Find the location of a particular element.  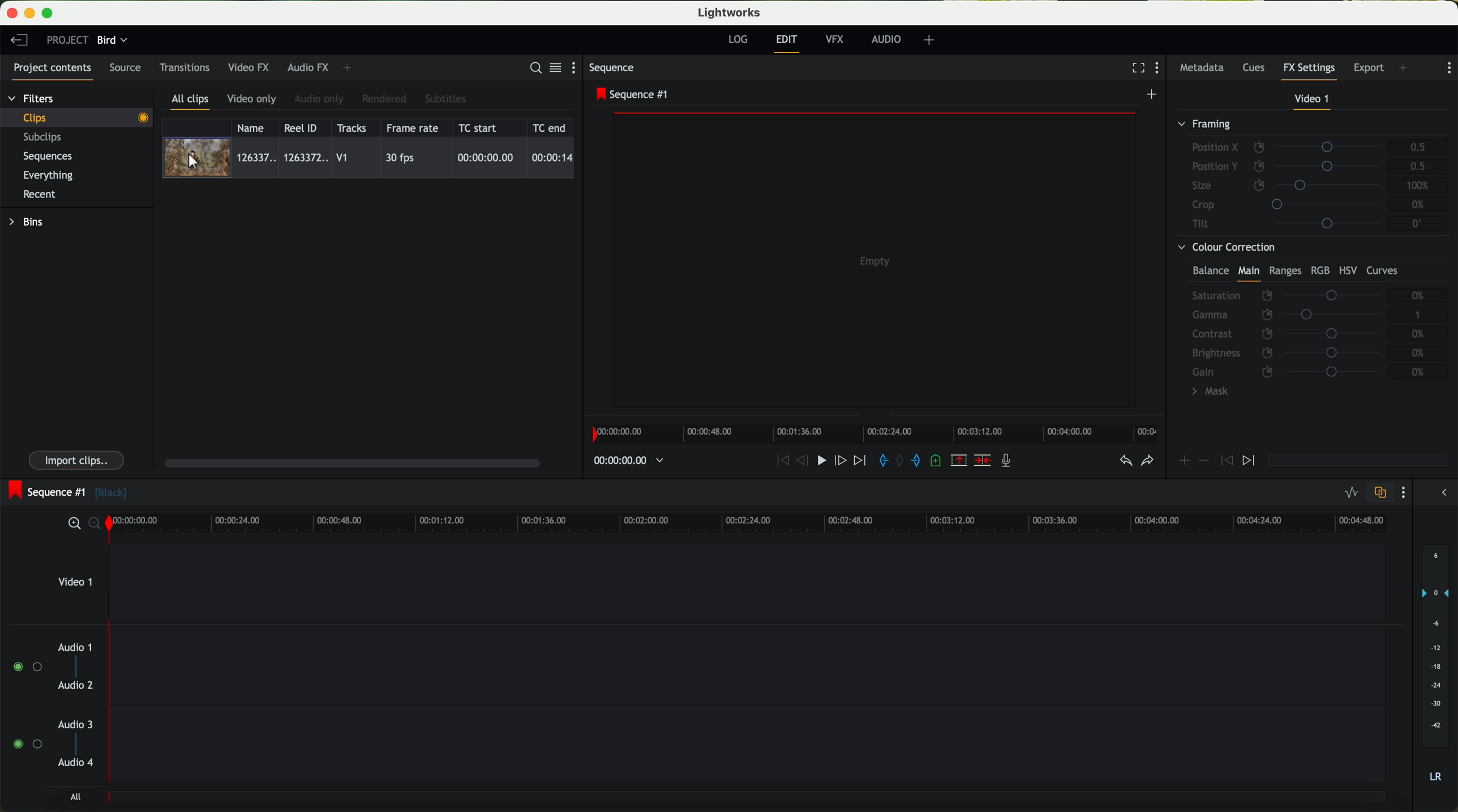

saturation is located at coordinates (1292, 295).